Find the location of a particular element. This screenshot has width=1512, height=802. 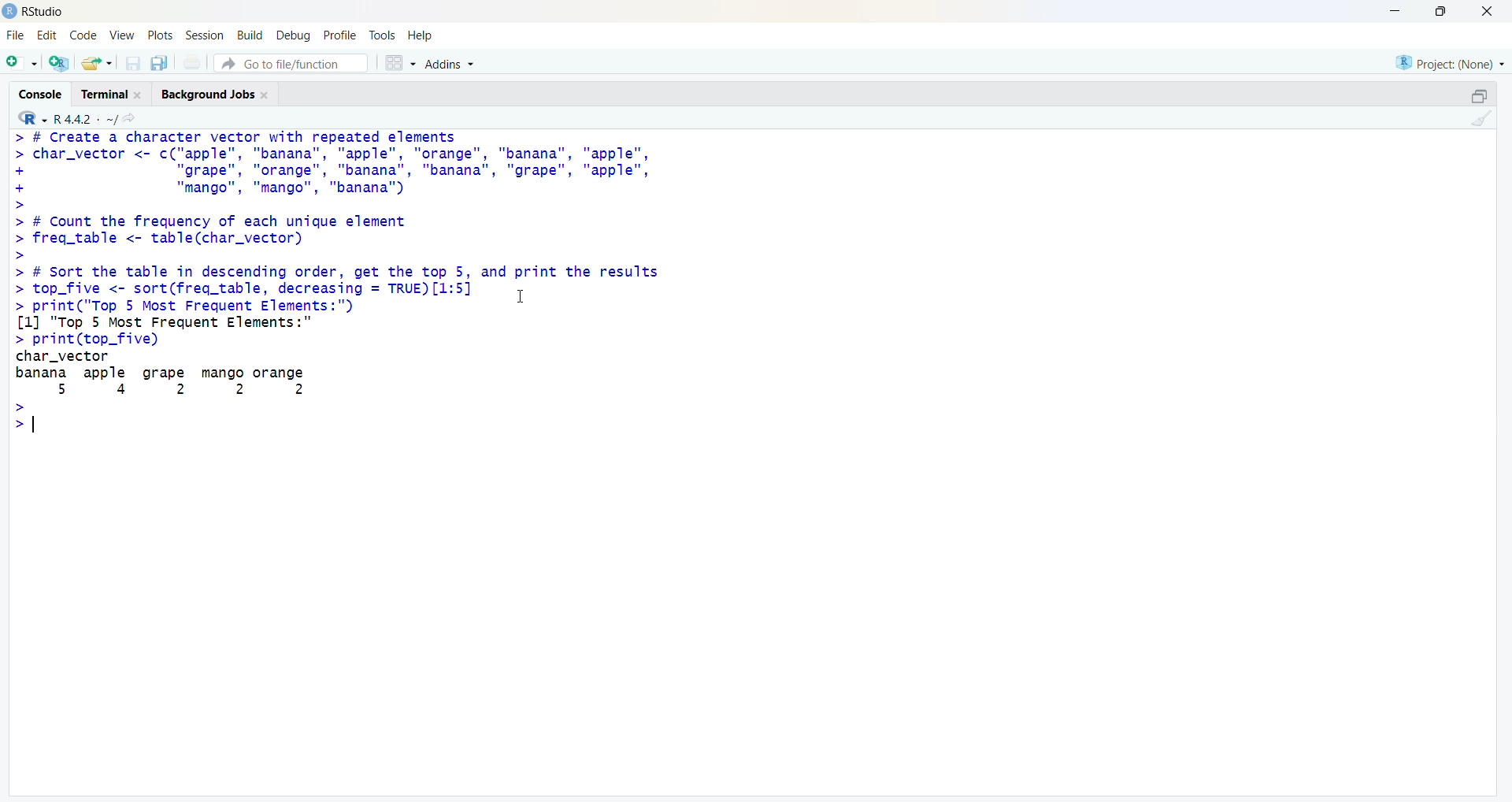

Maximize is located at coordinates (1441, 14).